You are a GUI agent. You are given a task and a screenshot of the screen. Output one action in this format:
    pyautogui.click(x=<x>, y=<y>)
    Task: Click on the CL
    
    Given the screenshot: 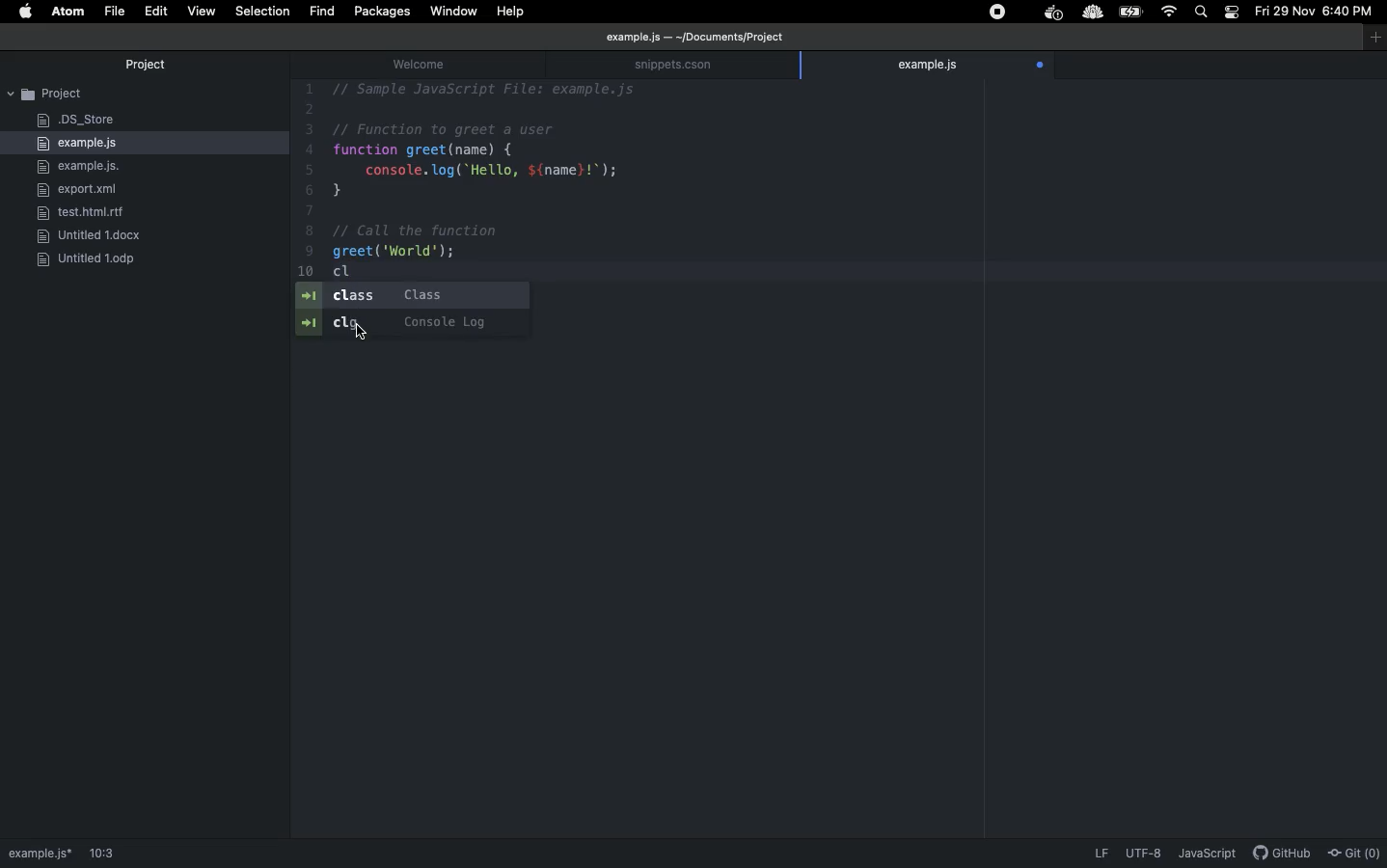 What is the action you would take?
    pyautogui.click(x=349, y=270)
    